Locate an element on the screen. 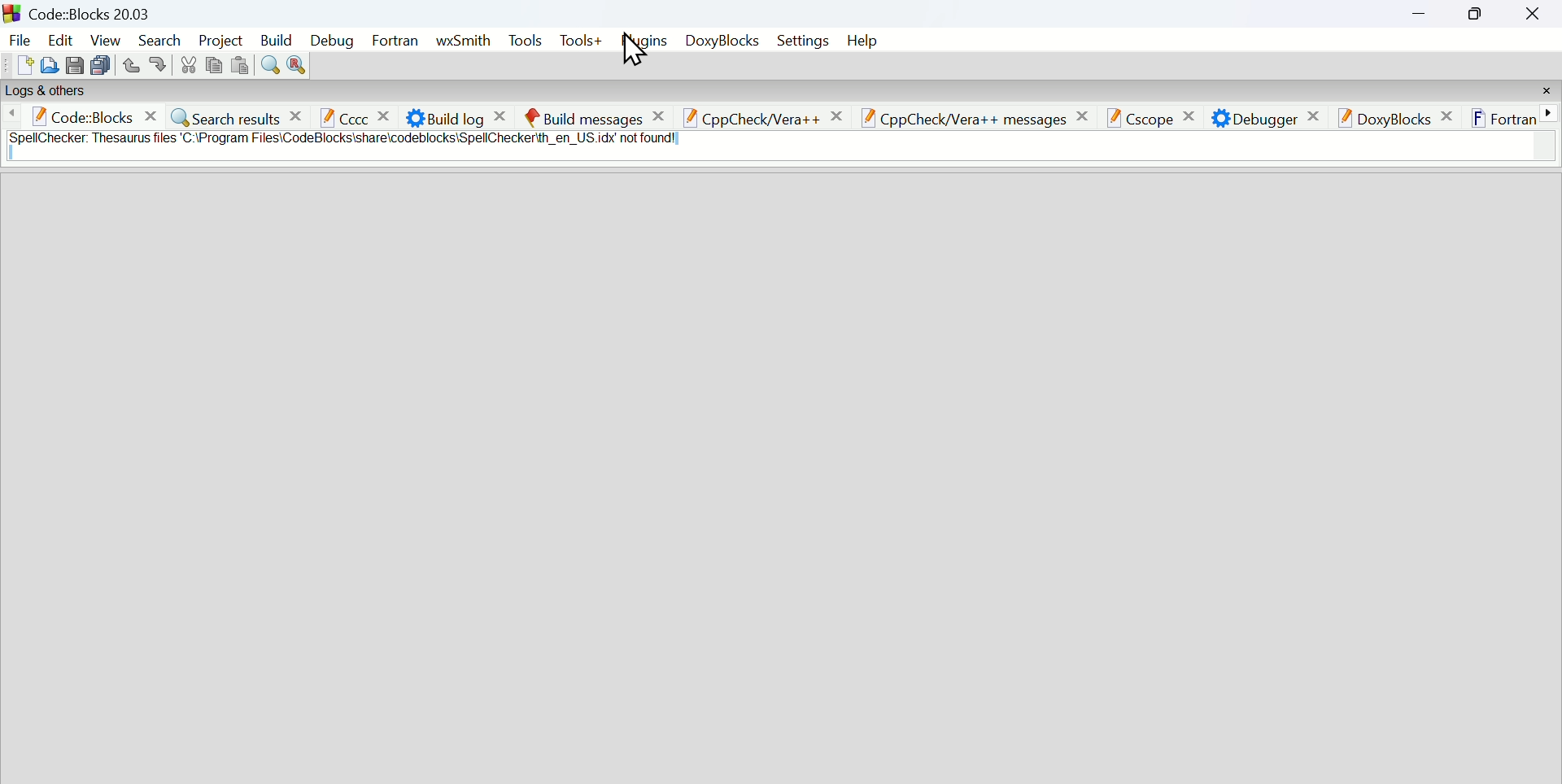  Search is located at coordinates (161, 39).